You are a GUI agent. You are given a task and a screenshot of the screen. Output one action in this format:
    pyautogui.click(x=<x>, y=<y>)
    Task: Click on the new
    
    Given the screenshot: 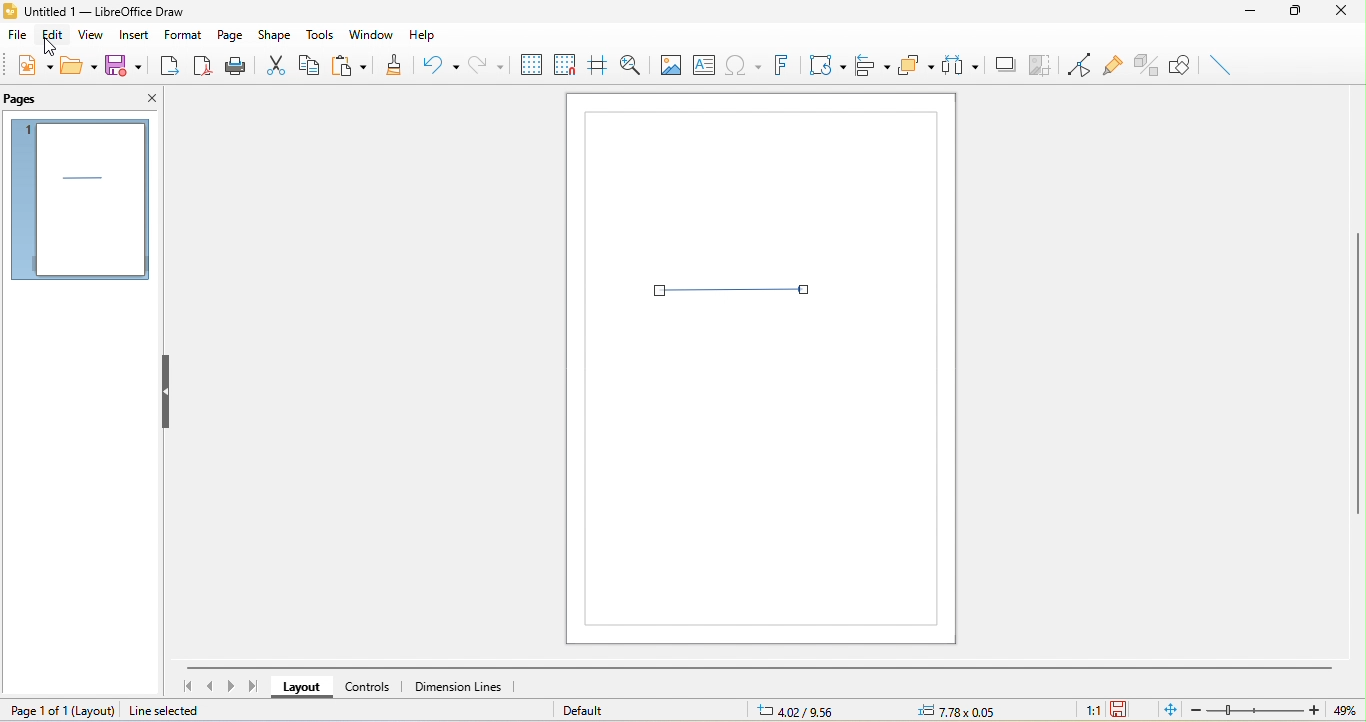 What is the action you would take?
    pyautogui.click(x=33, y=65)
    